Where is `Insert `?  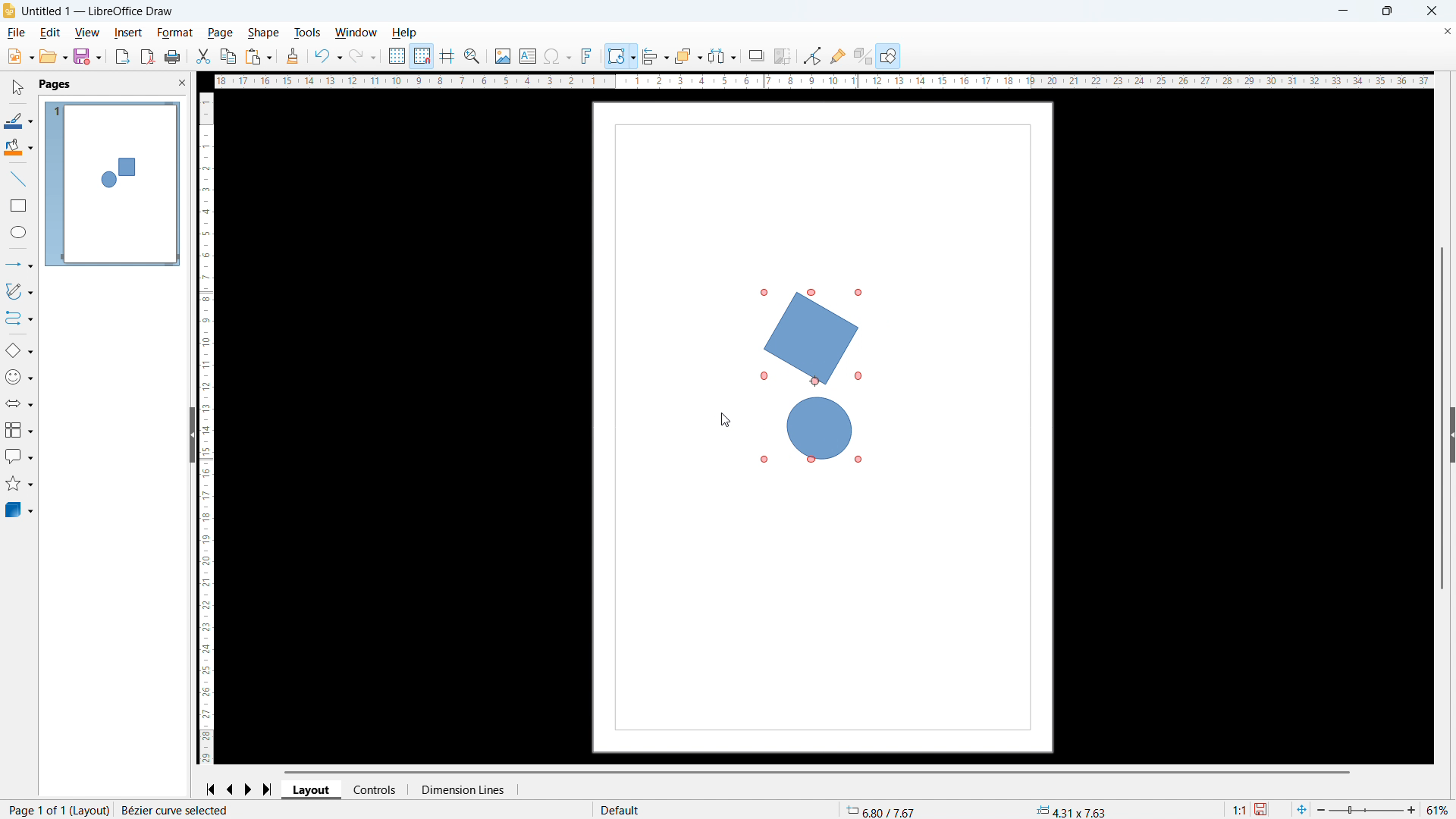 Insert  is located at coordinates (129, 33).